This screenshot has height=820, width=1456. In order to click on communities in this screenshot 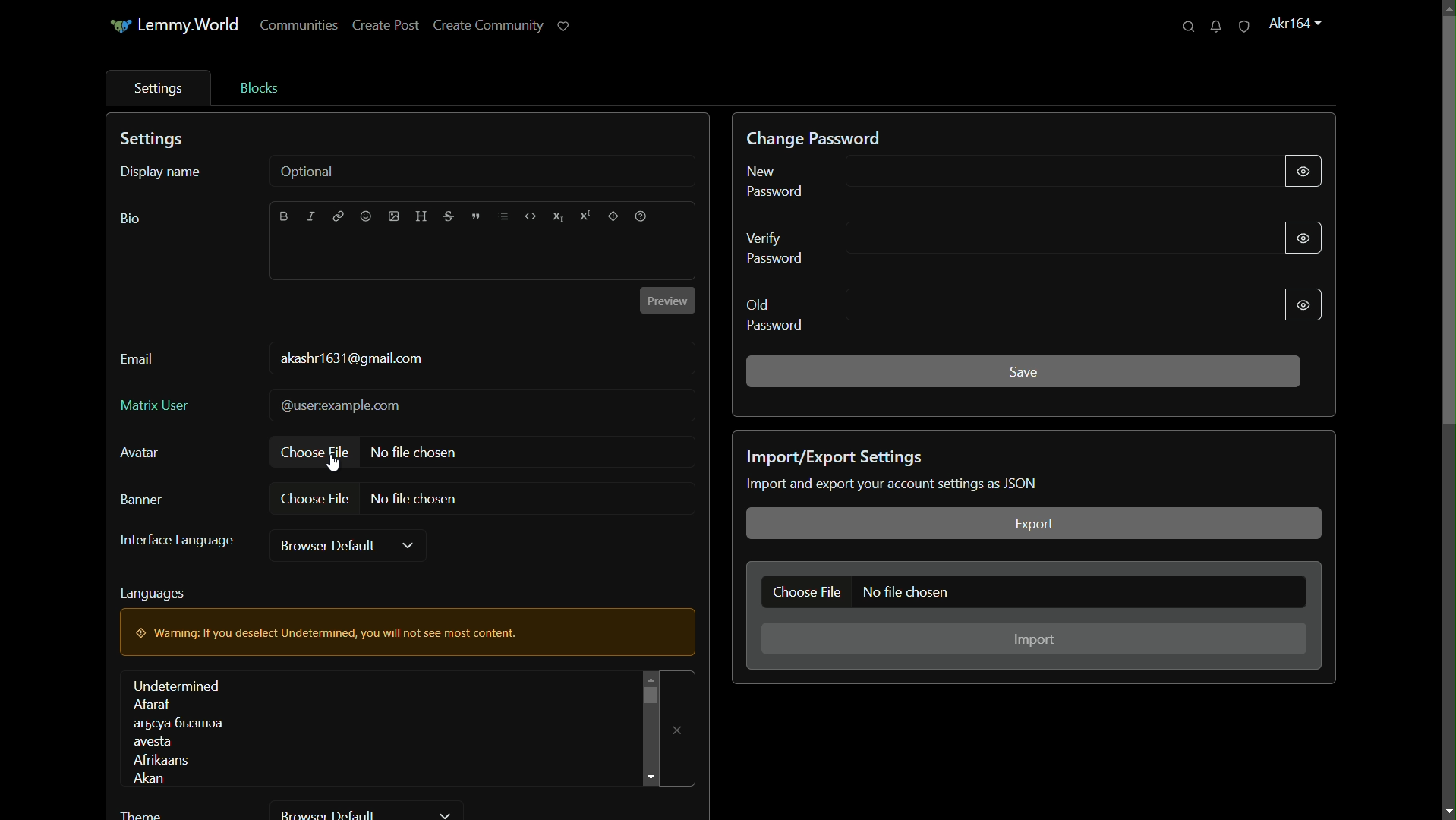, I will do `click(299, 27)`.